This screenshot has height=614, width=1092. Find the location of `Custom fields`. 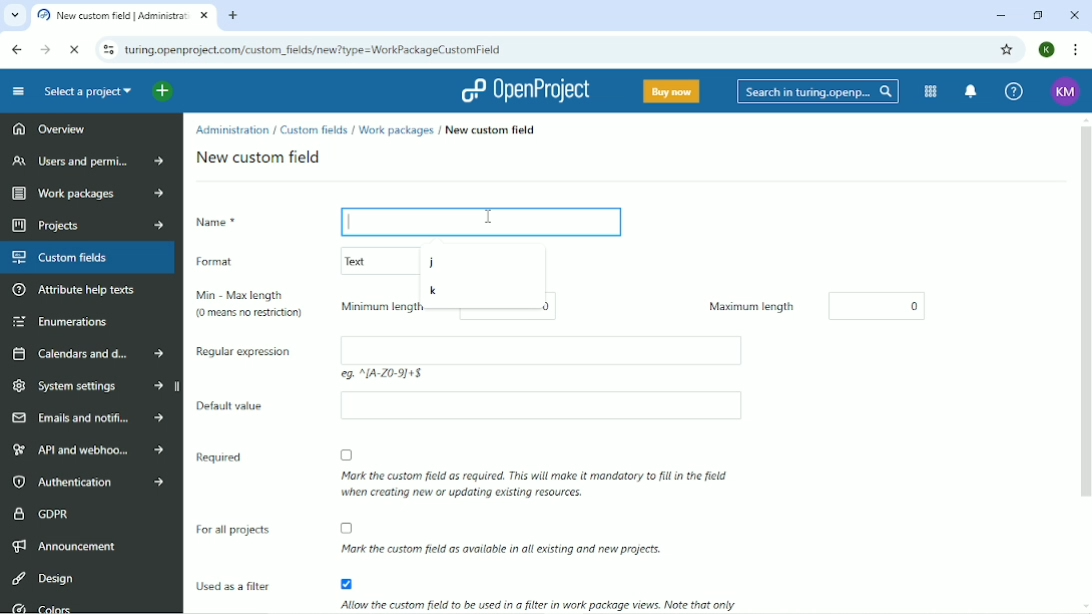

Custom fields is located at coordinates (314, 129).